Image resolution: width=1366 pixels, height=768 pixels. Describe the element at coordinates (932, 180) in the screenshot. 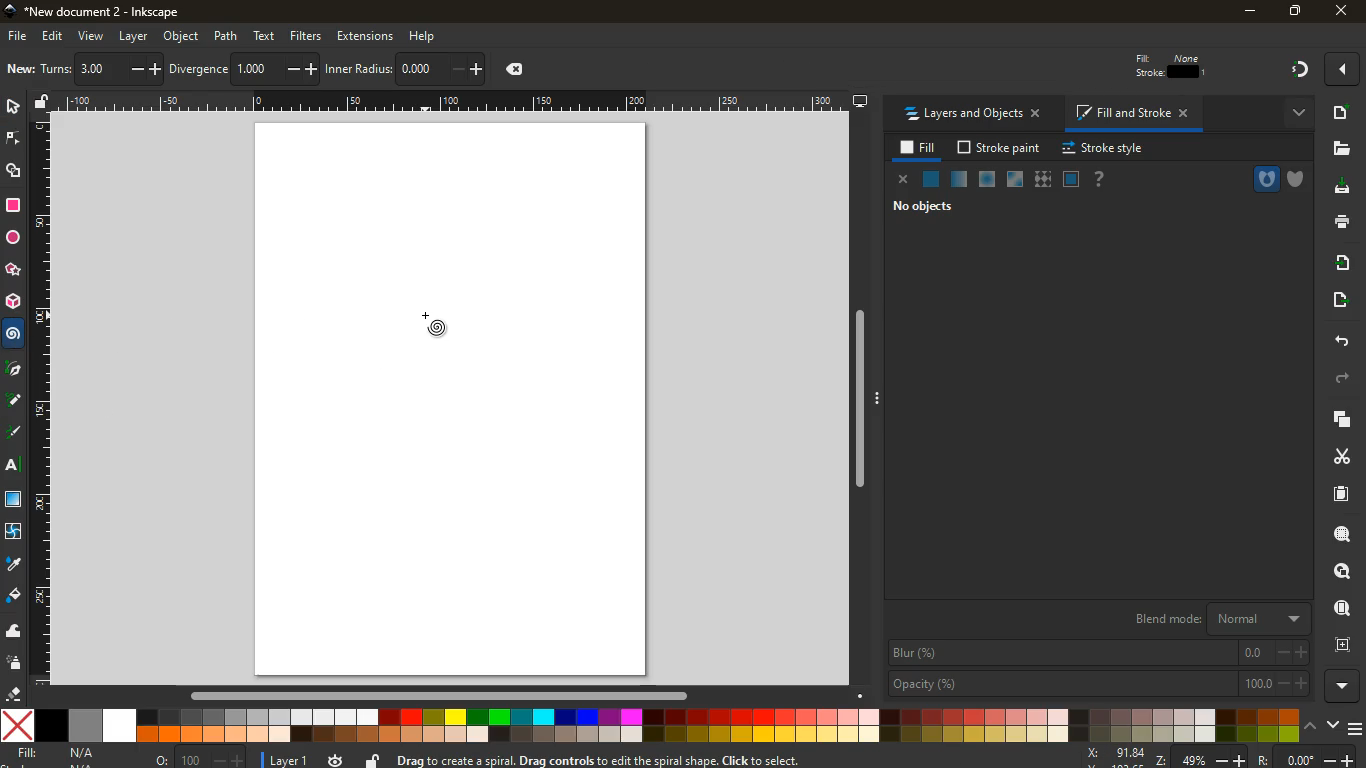

I see `normal` at that location.